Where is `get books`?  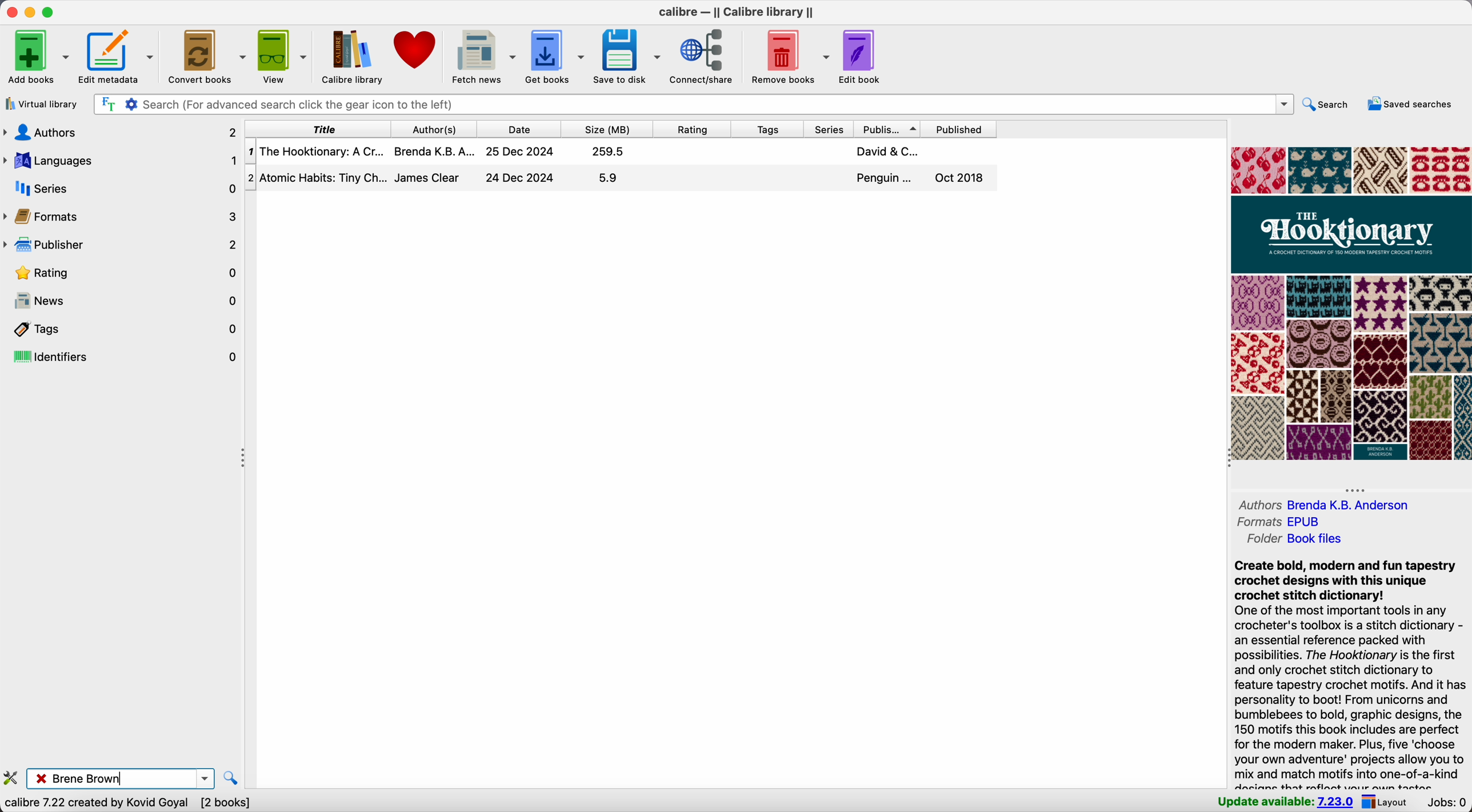 get books is located at coordinates (554, 58).